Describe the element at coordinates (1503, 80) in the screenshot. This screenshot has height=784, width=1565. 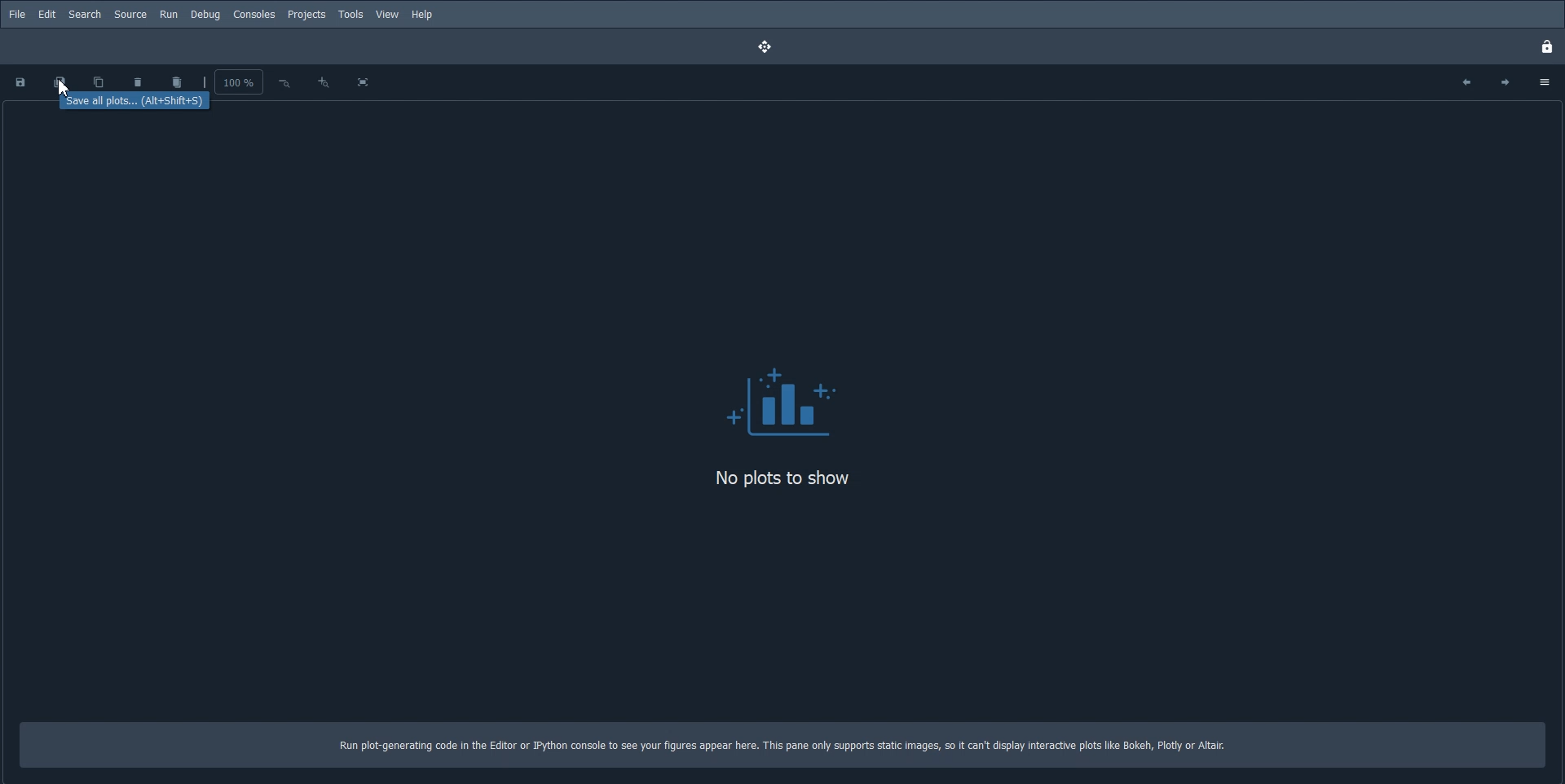
I see `Next plot` at that location.